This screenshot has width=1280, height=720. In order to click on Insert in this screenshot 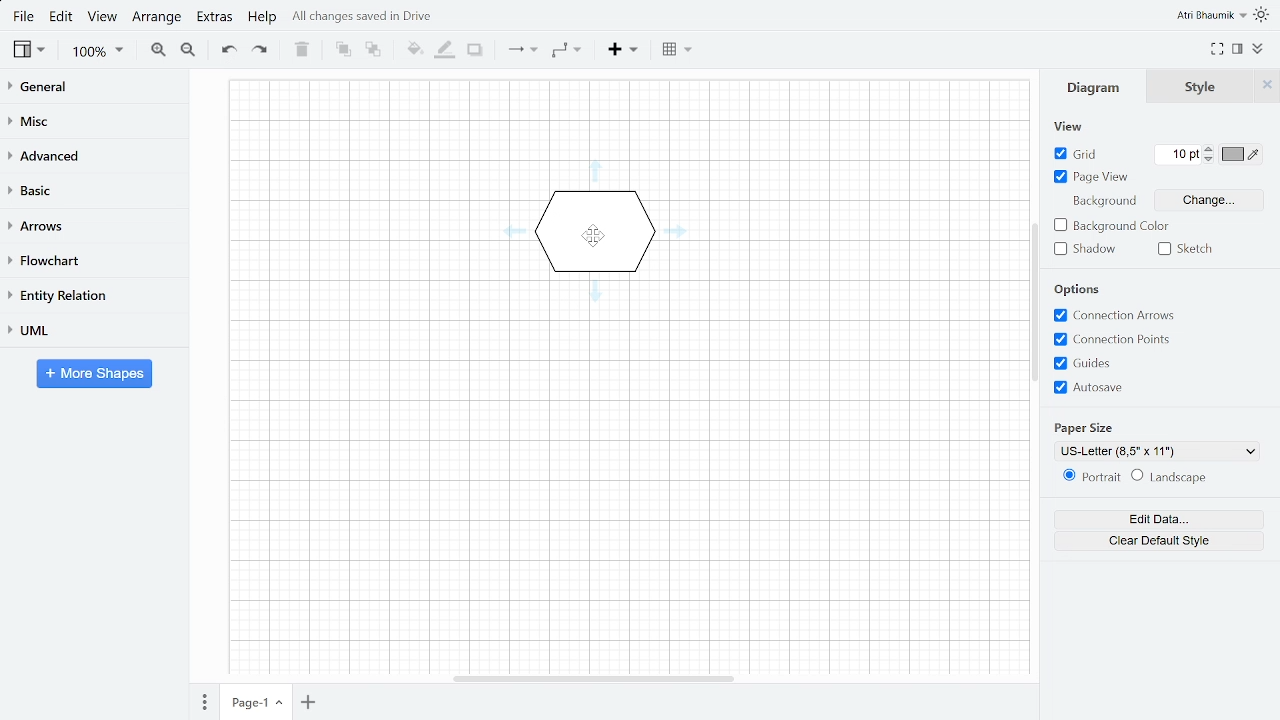, I will do `click(622, 51)`.